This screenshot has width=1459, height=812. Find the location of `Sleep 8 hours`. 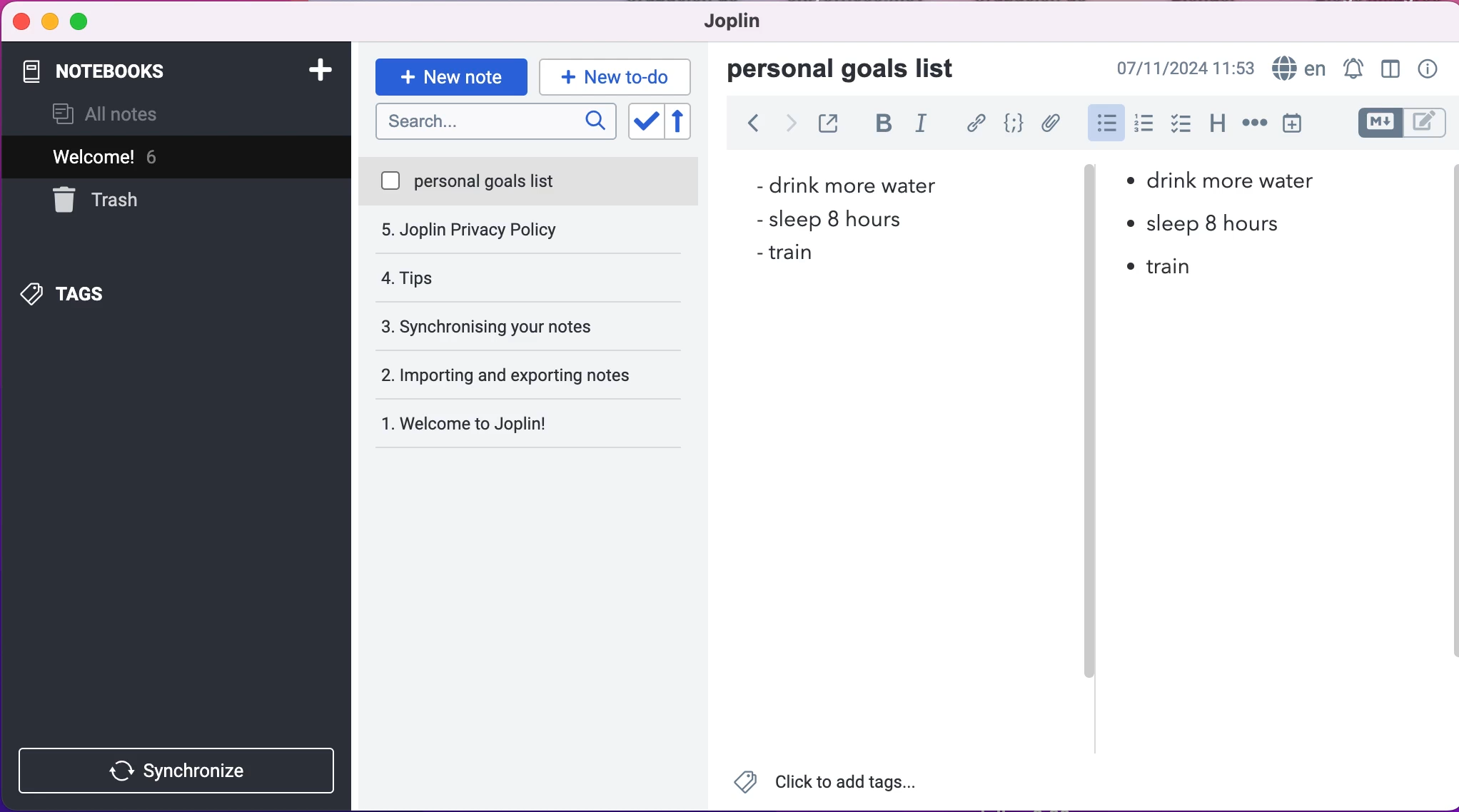

Sleep 8 hours is located at coordinates (1208, 223).